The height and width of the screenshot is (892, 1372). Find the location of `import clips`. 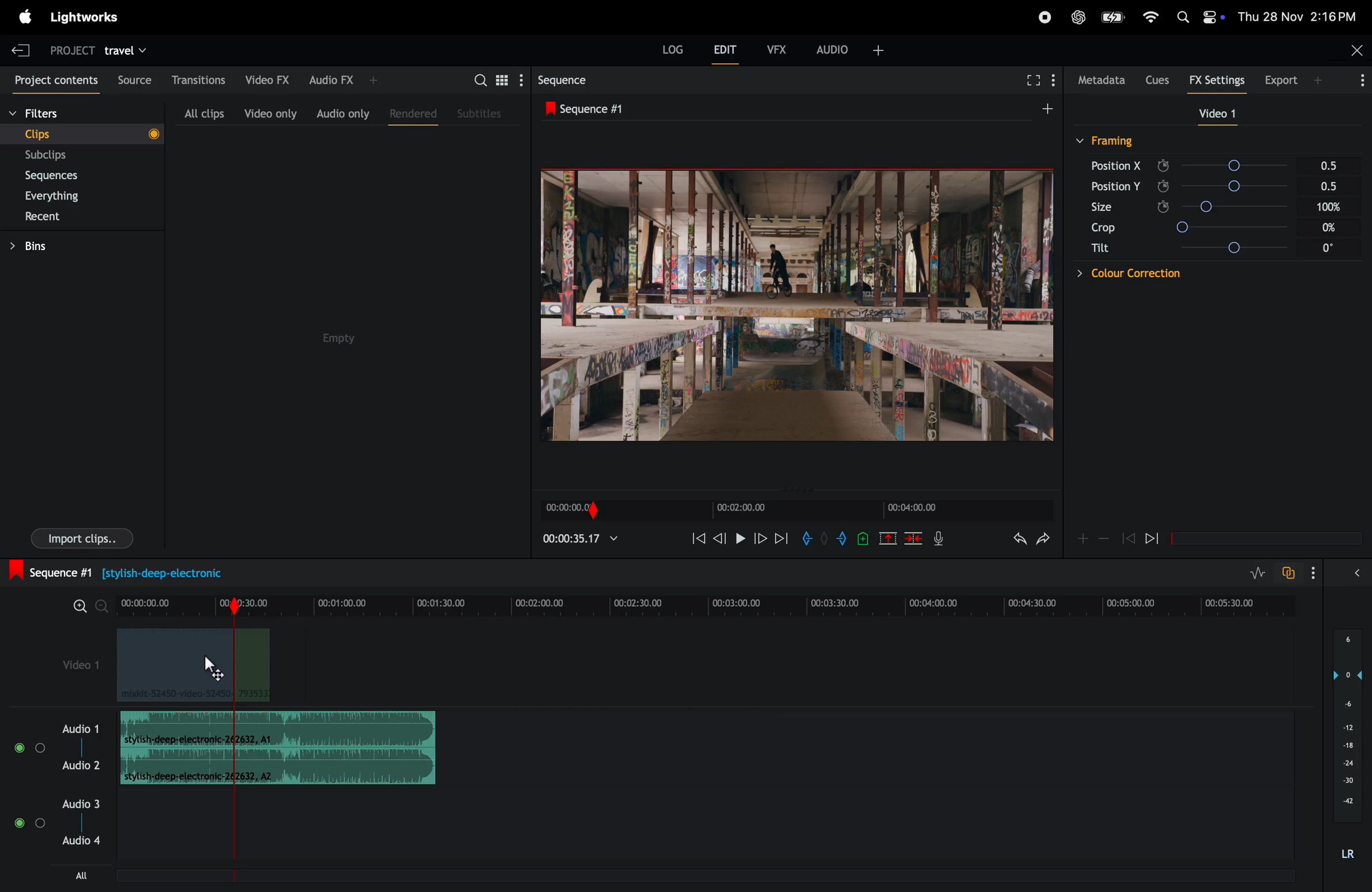

import clips is located at coordinates (77, 541).